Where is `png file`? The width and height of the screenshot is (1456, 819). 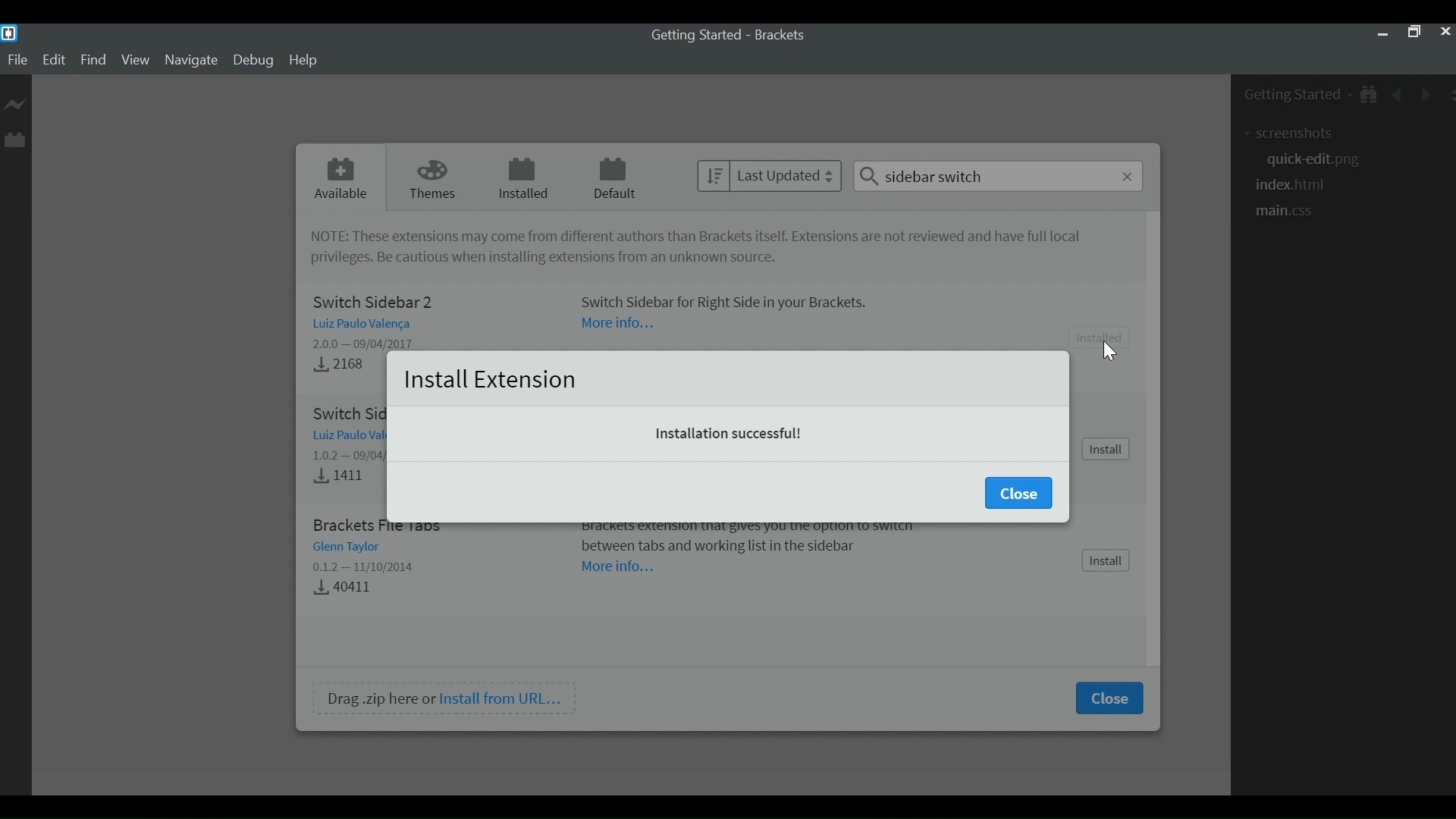 png file is located at coordinates (1313, 161).